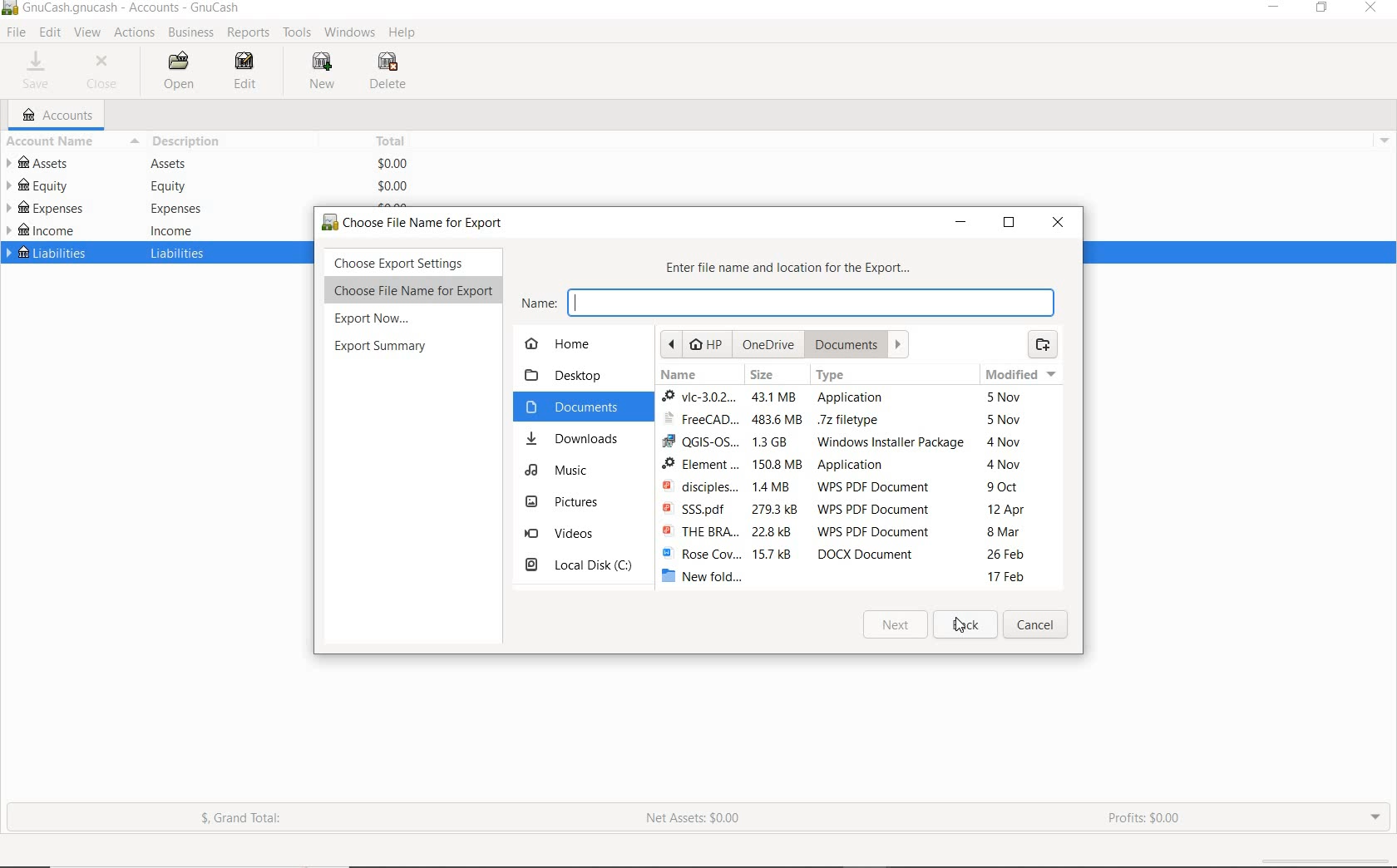 The image size is (1397, 868). I want to click on $0.00, so click(392, 162).